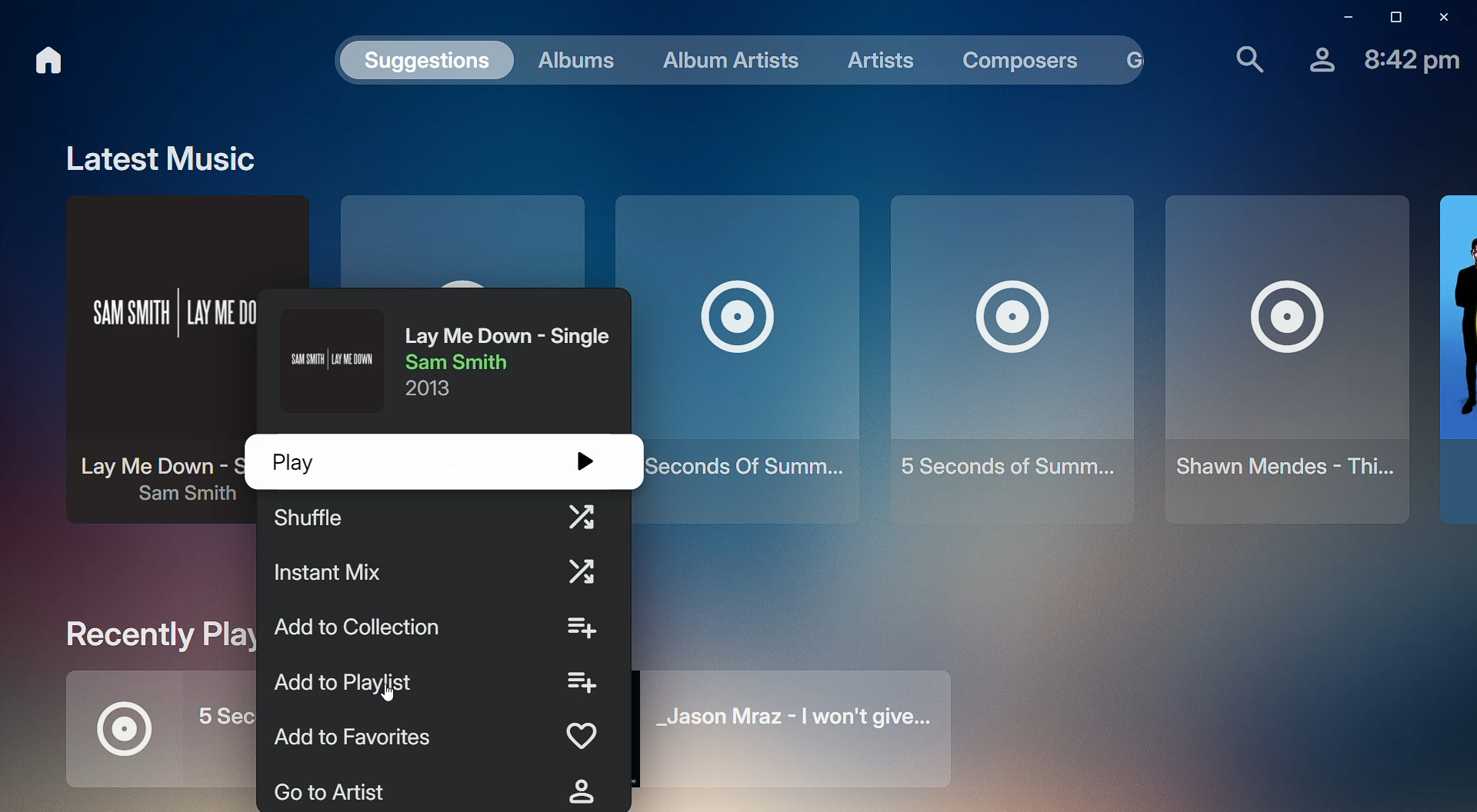 The height and width of the screenshot is (812, 1477). Describe the element at coordinates (442, 787) in the screenshot. I see `Go to Artist` at that location.